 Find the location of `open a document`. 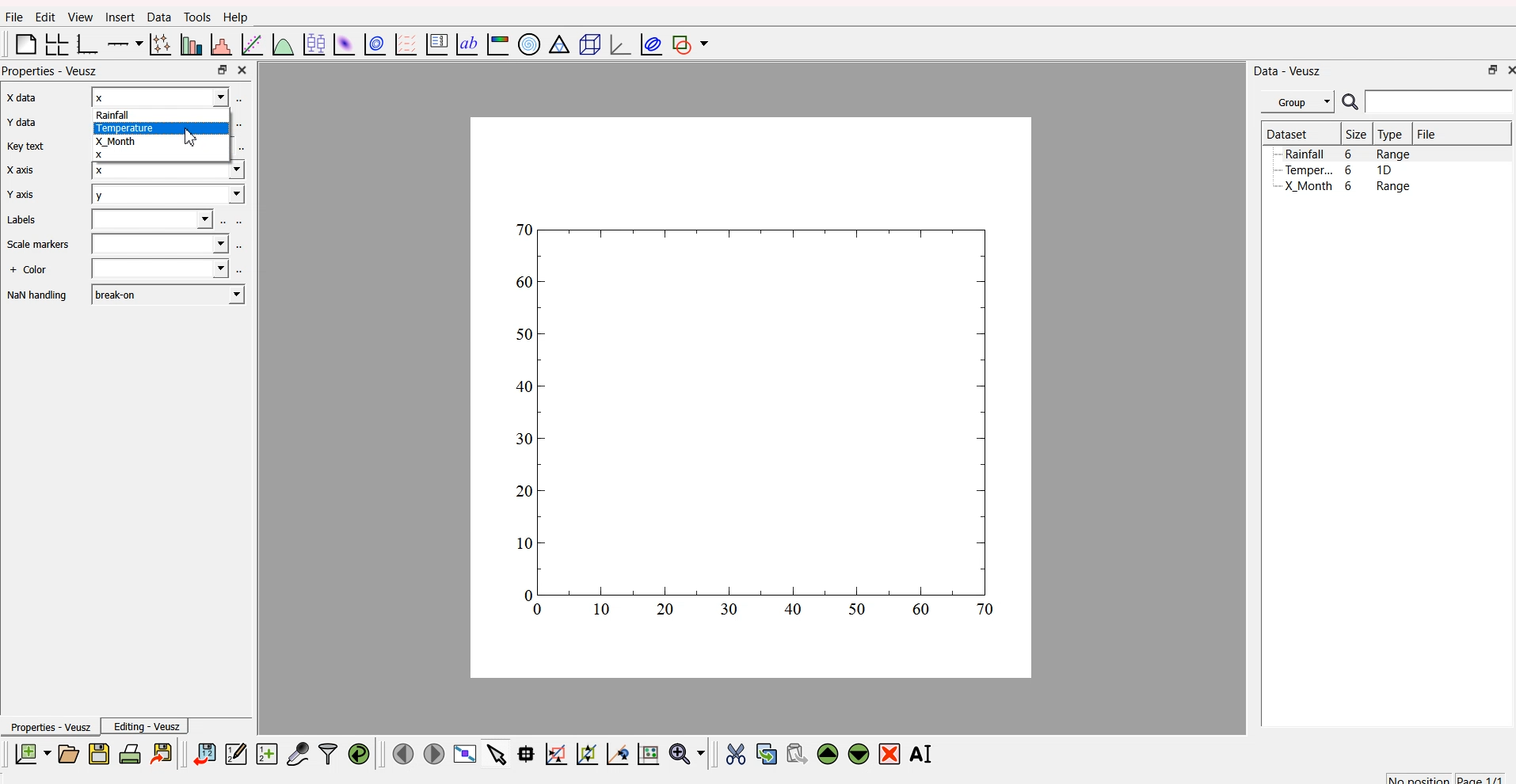

open a document is located at coordinates (67, 752).